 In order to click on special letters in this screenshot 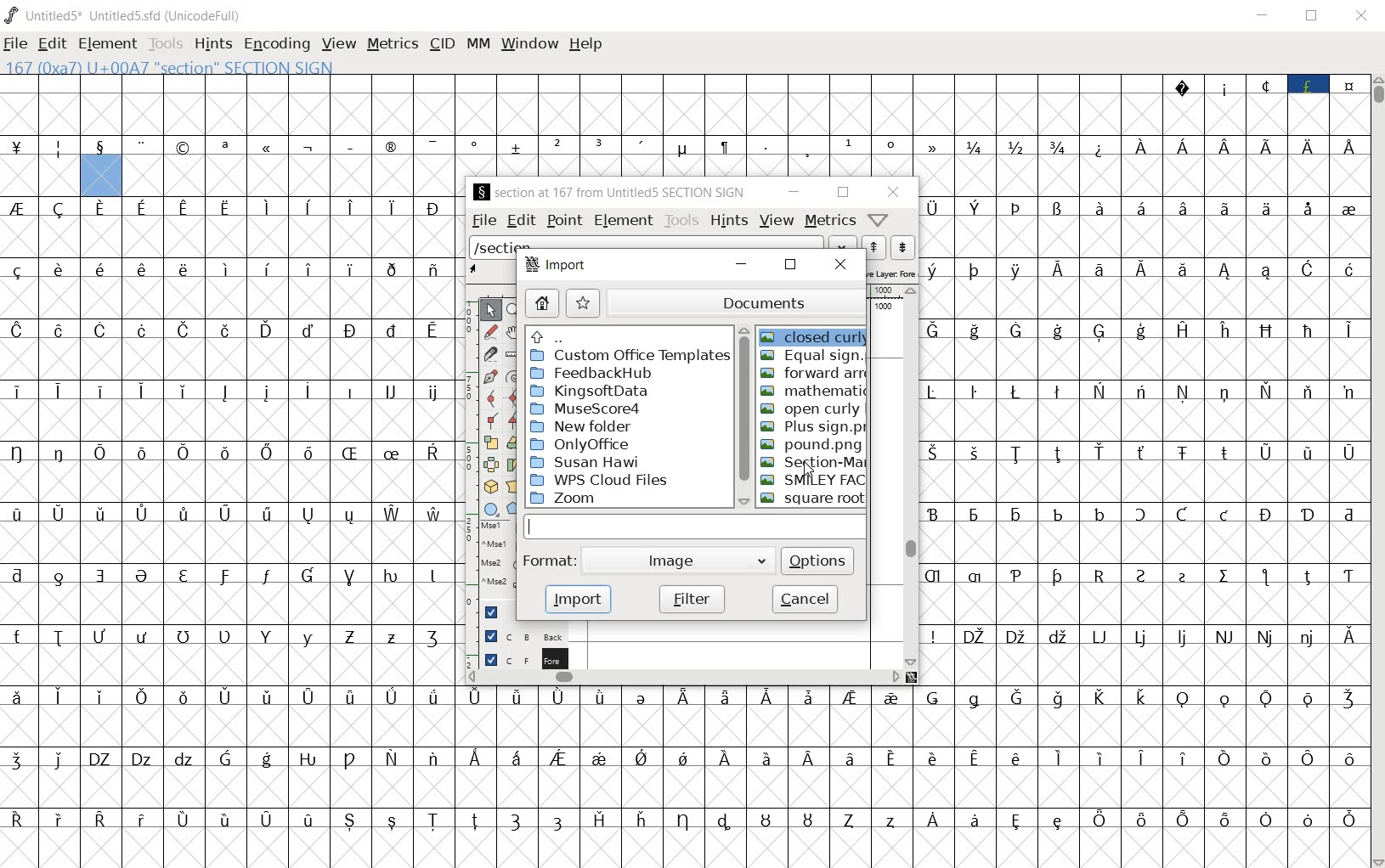, I will do `click(235, 206)`.